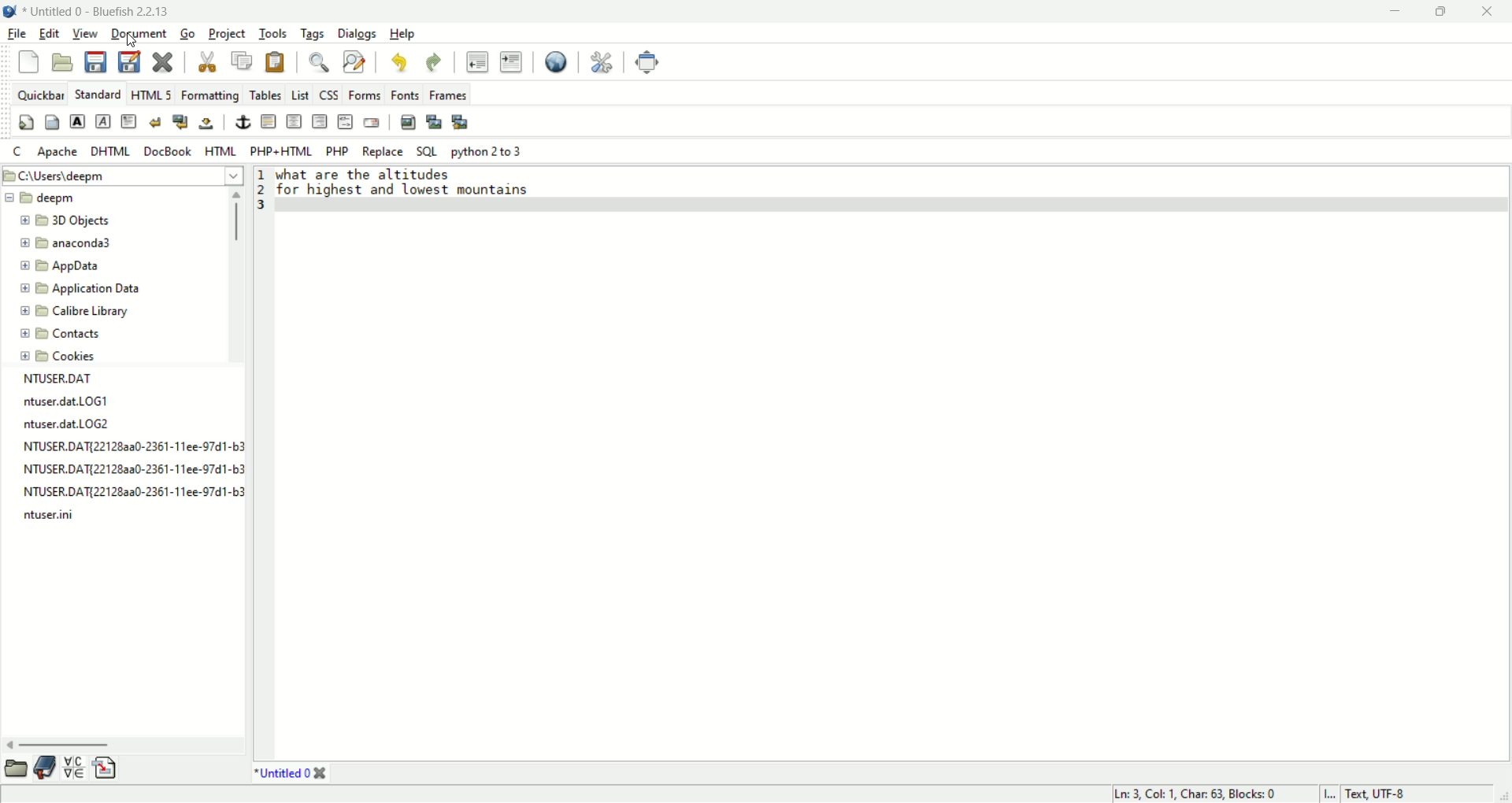 The height and width of the screenshot is (803, 1512). Describe the element at coordinates (1197, 794) in the screenshot. I see `ln, col, char, blocks` at that location.